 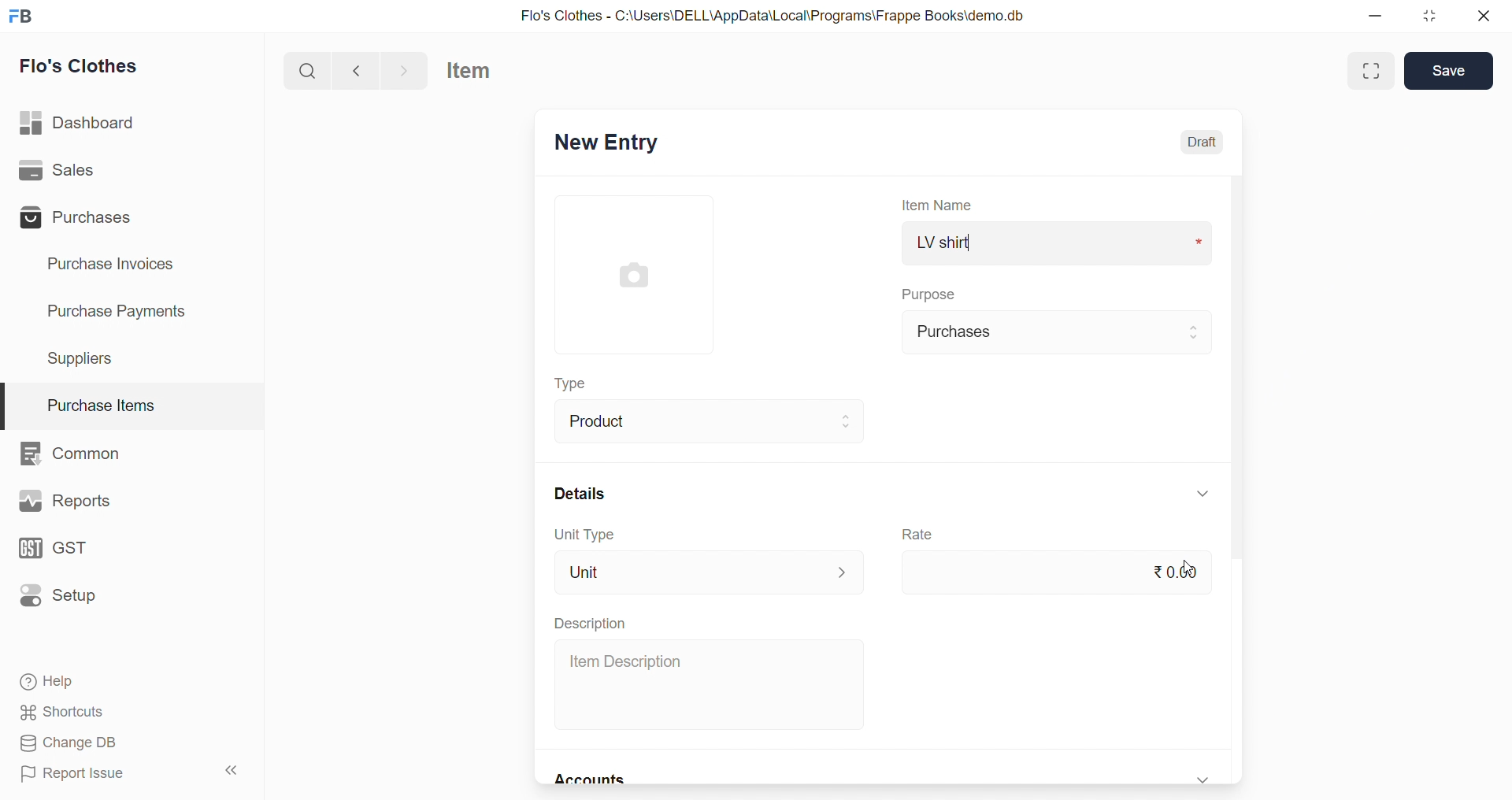 I want to click on Maximize window, so click(x=1373, y=71).